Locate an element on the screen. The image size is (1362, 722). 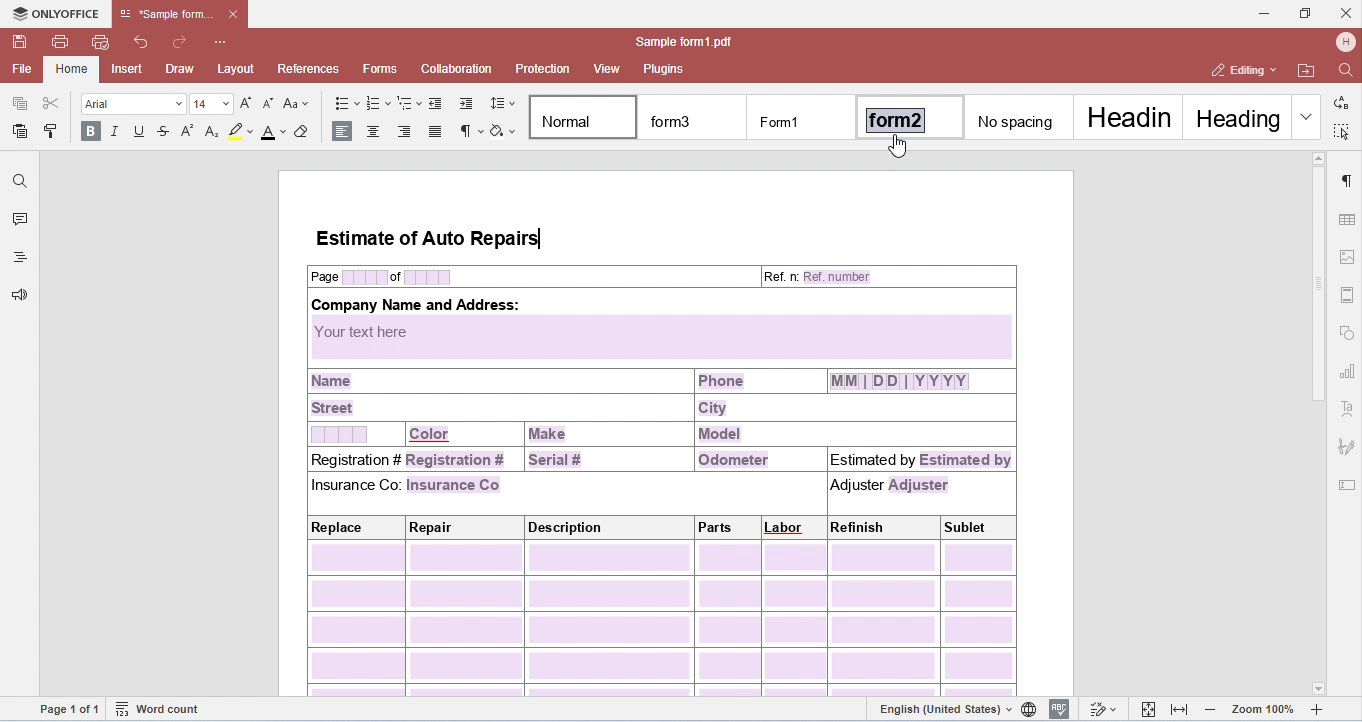
header and footer is located at coordinates (1348, 294).